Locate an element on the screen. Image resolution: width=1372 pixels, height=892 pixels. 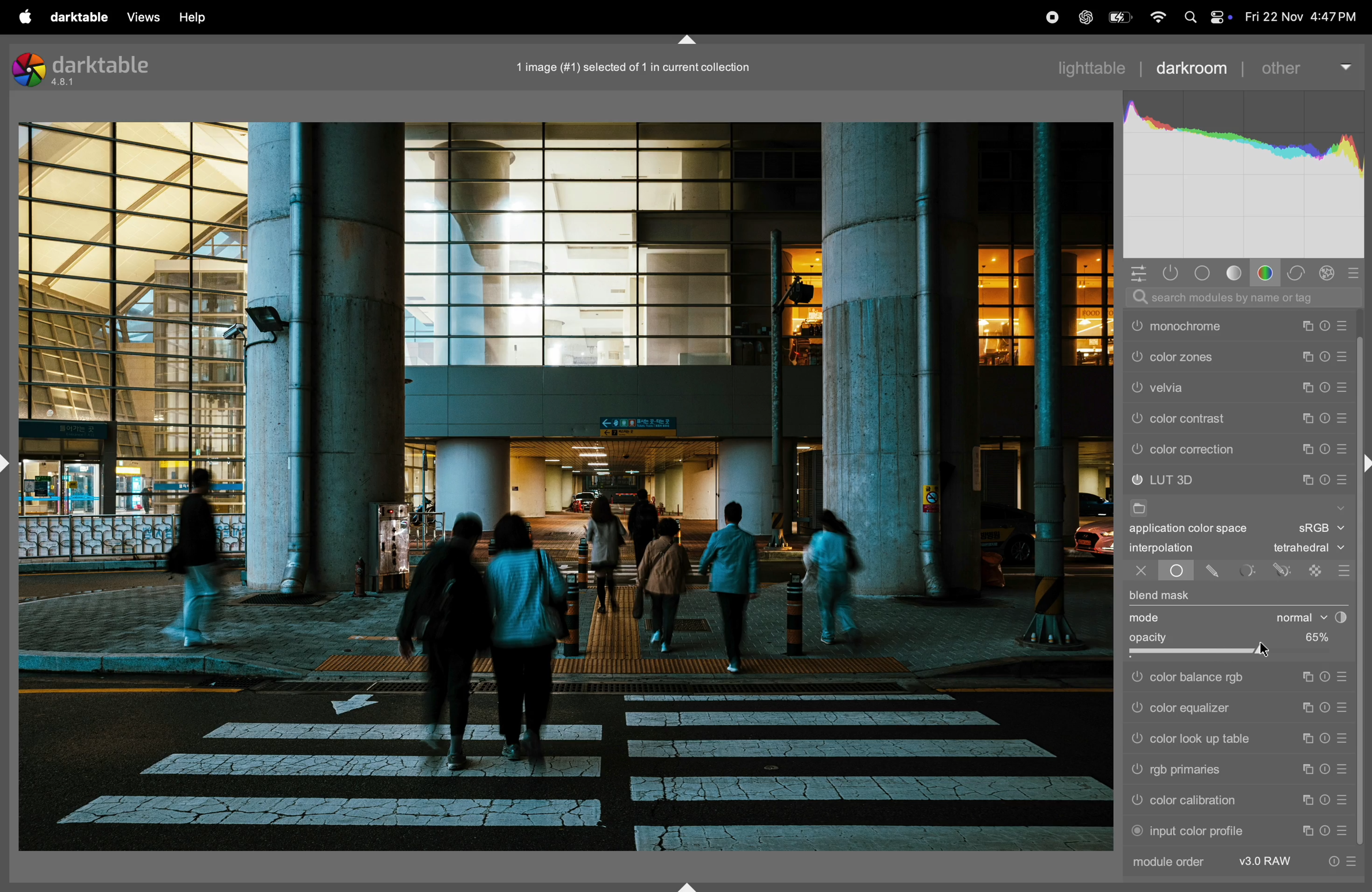
correct is located at coordinates (1297, 272).